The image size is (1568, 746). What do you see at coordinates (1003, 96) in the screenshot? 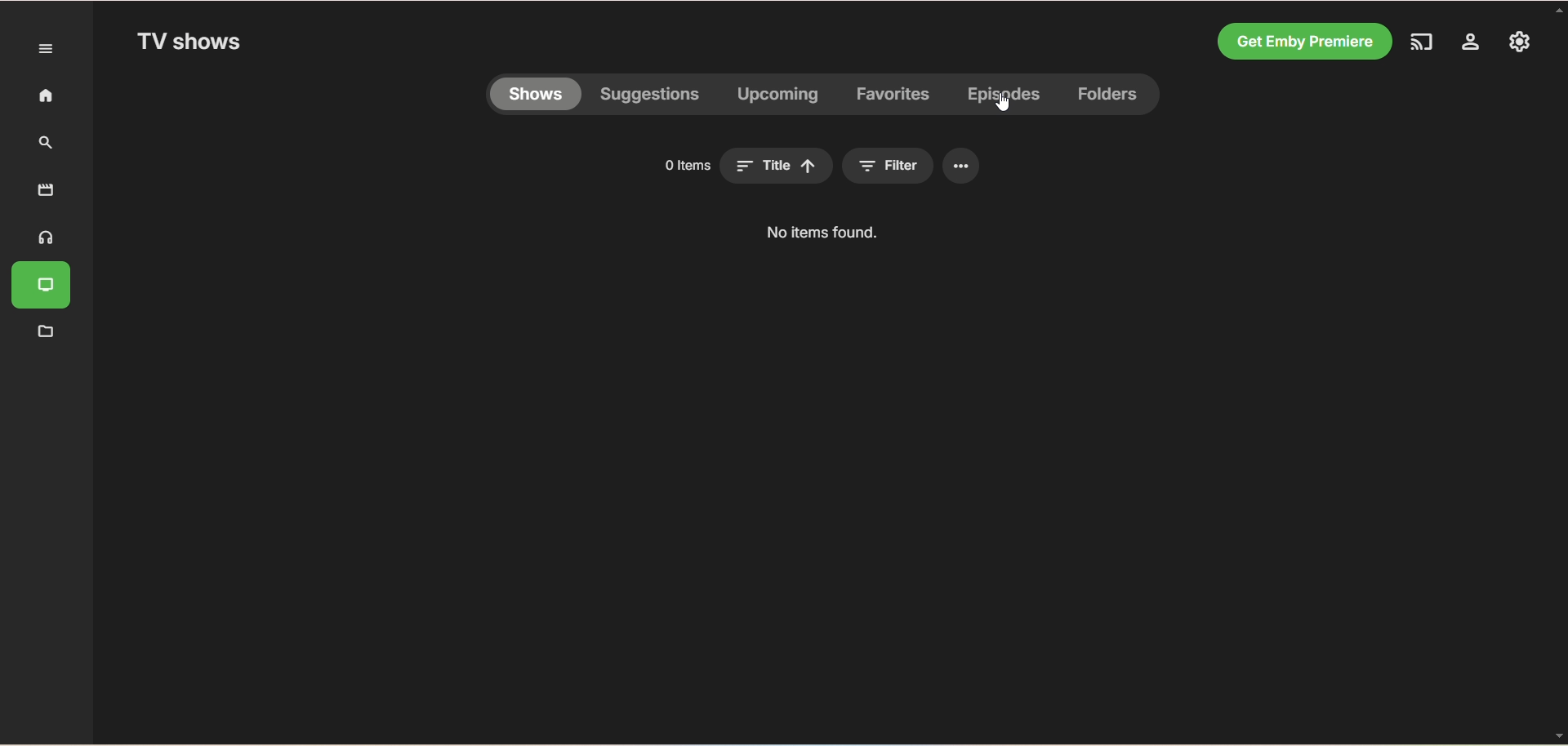
I see `episodes` at bounding box center [1003, 96].